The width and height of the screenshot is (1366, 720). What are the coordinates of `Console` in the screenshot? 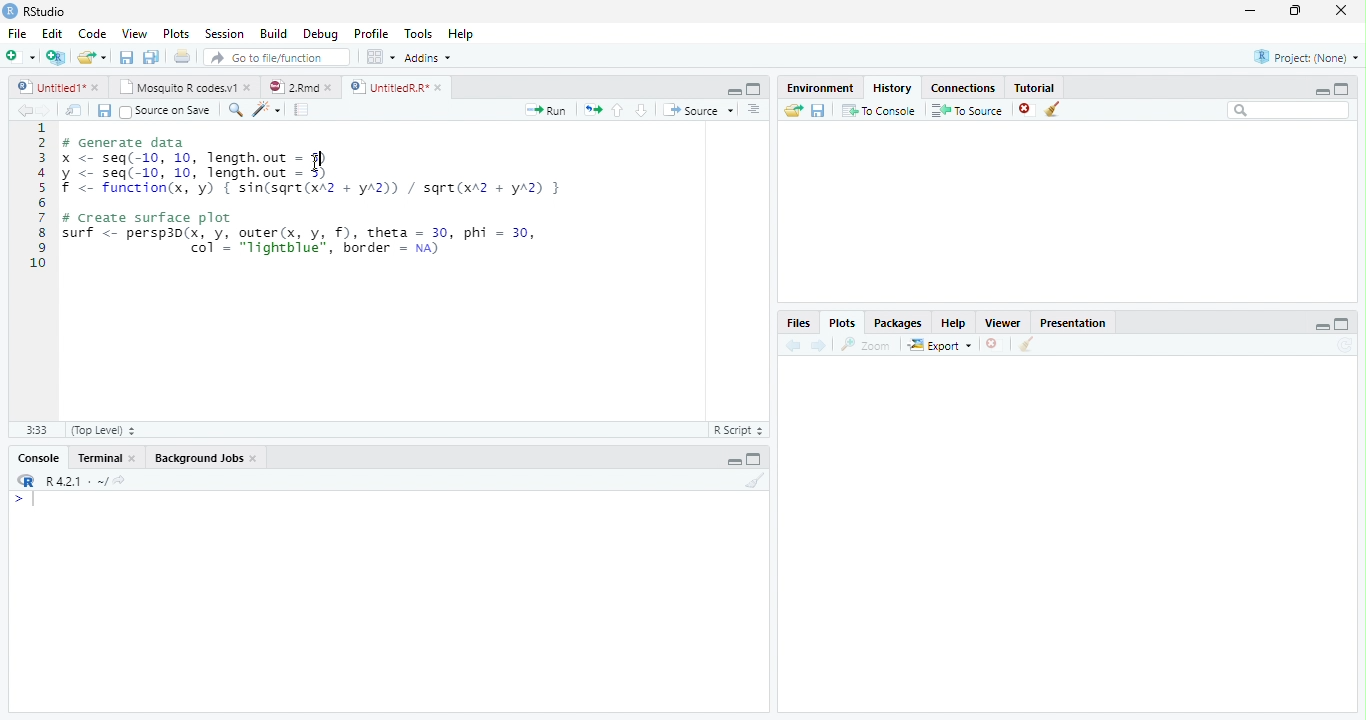 It's located at (39, 458).